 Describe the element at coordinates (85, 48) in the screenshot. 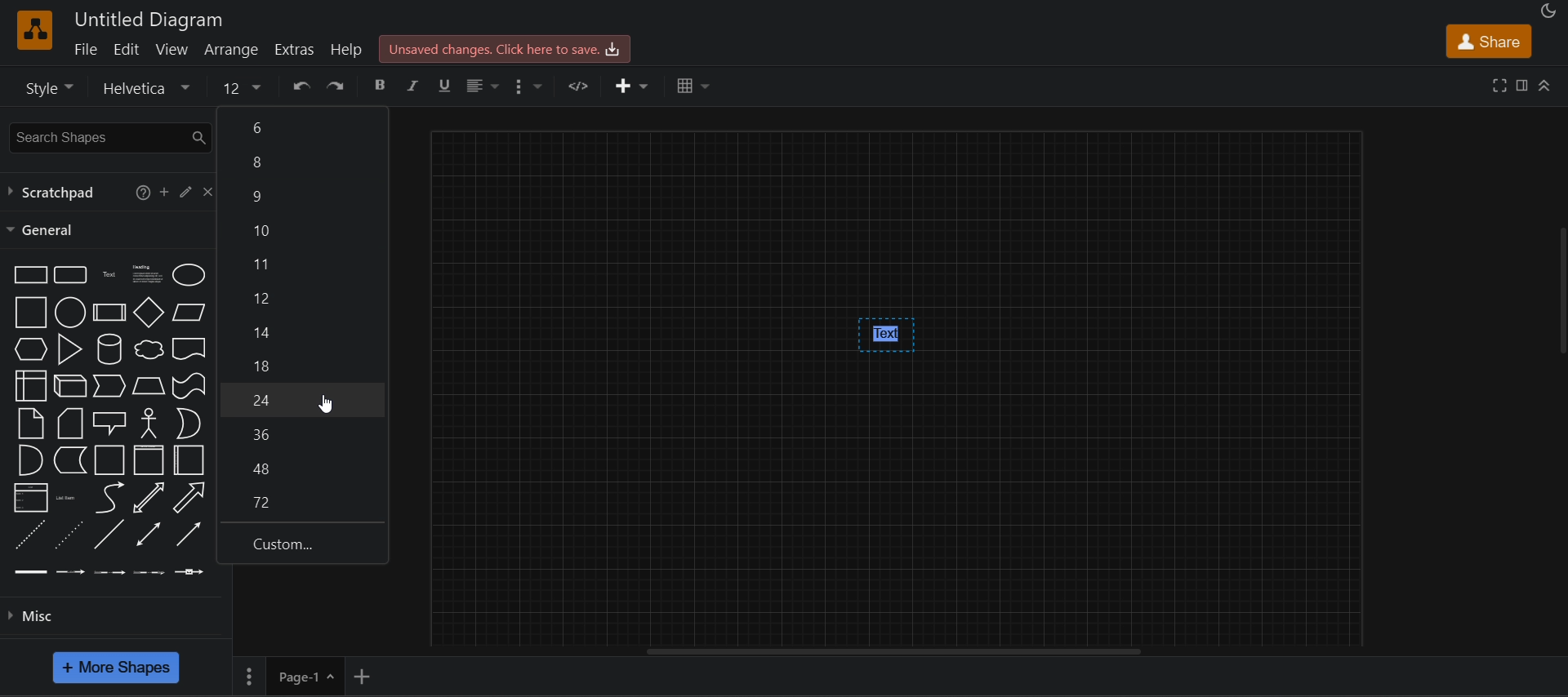

I see `file` at that location.